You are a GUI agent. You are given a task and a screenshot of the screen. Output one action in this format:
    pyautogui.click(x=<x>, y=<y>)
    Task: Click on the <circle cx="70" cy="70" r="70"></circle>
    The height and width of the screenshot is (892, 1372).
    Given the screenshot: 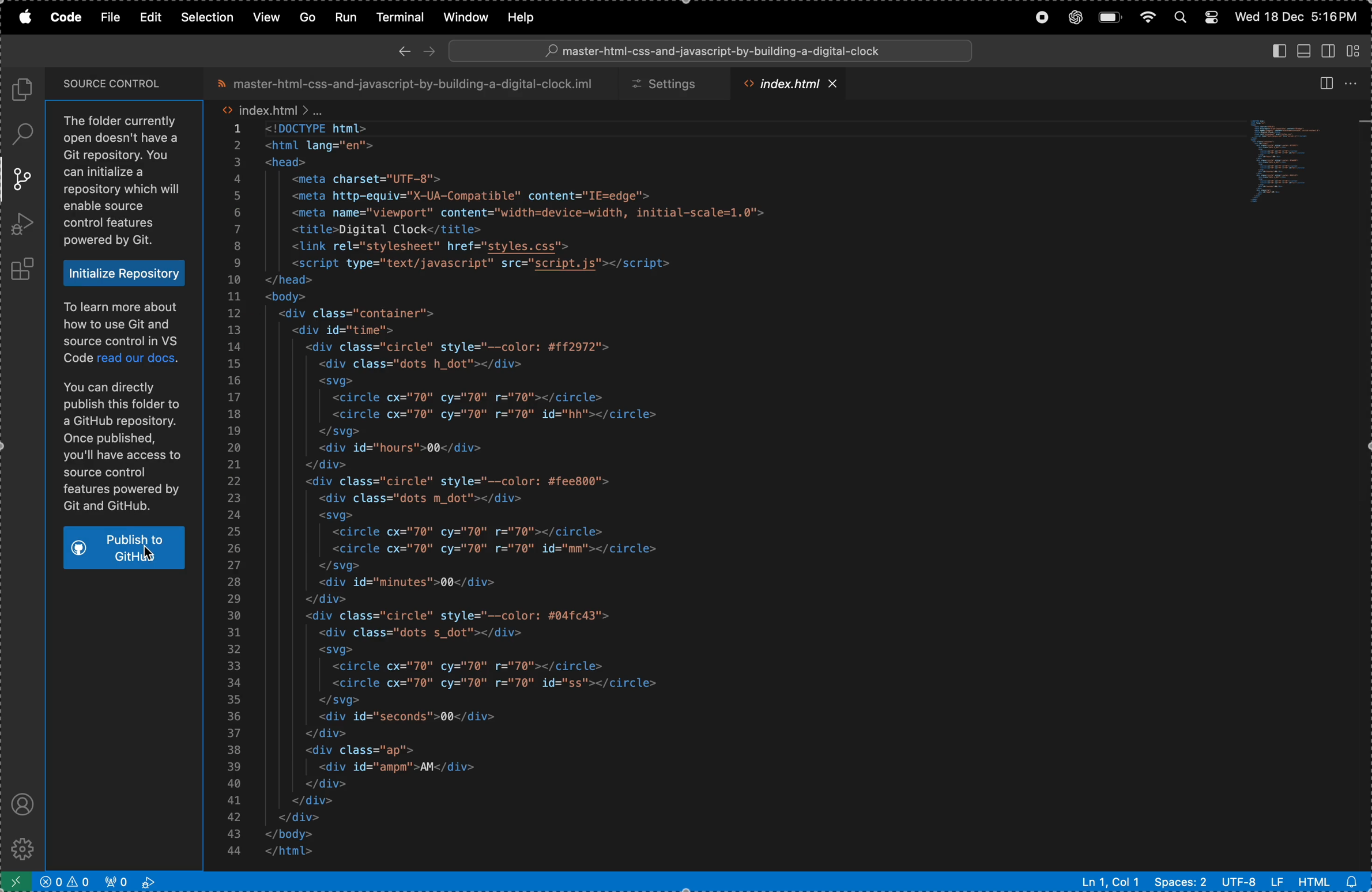 What is the action you would take?
    pyautogui.click(x=468, y=398)
    